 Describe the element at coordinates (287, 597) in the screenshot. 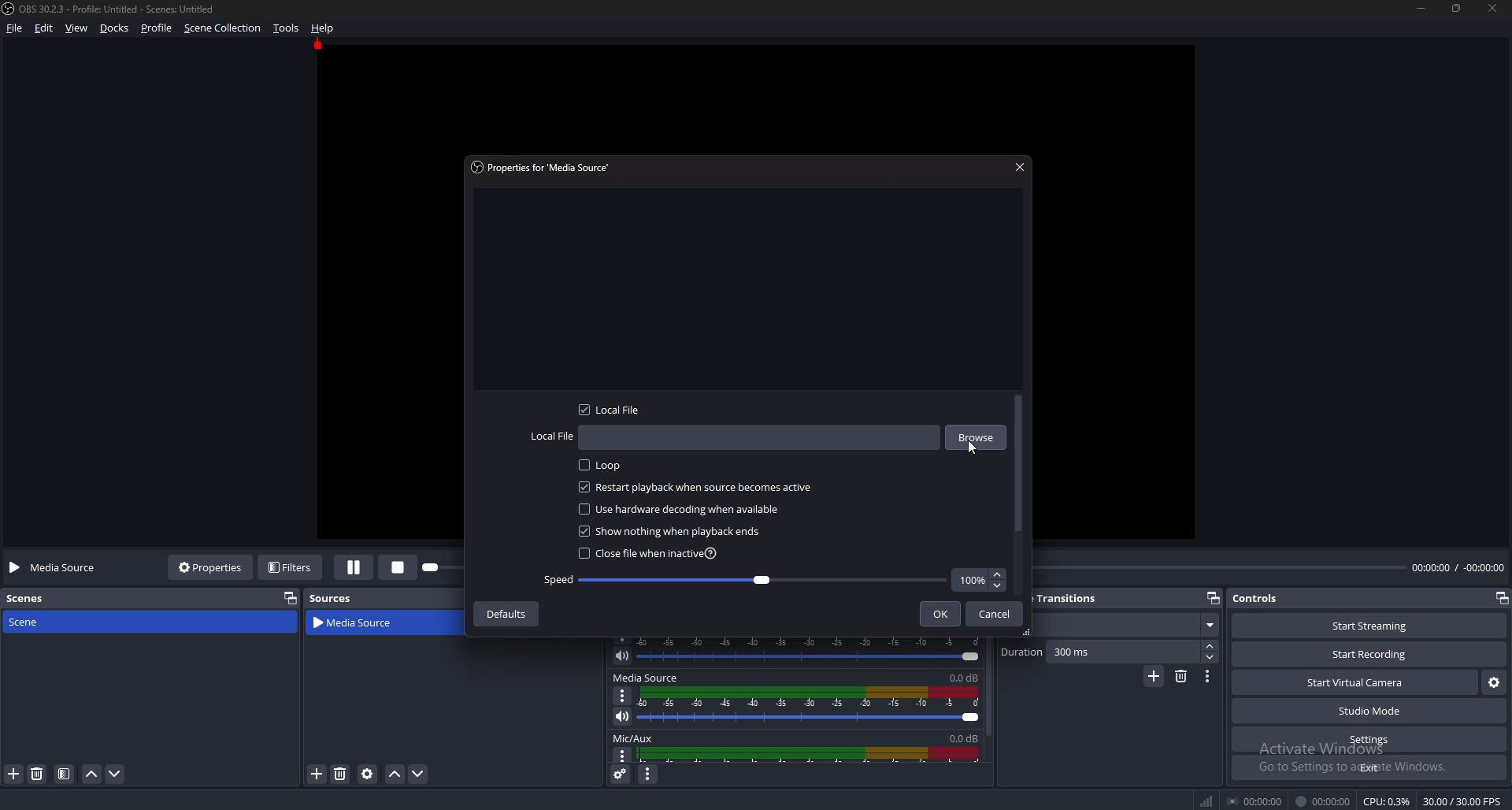

I see `pop out` at that location.